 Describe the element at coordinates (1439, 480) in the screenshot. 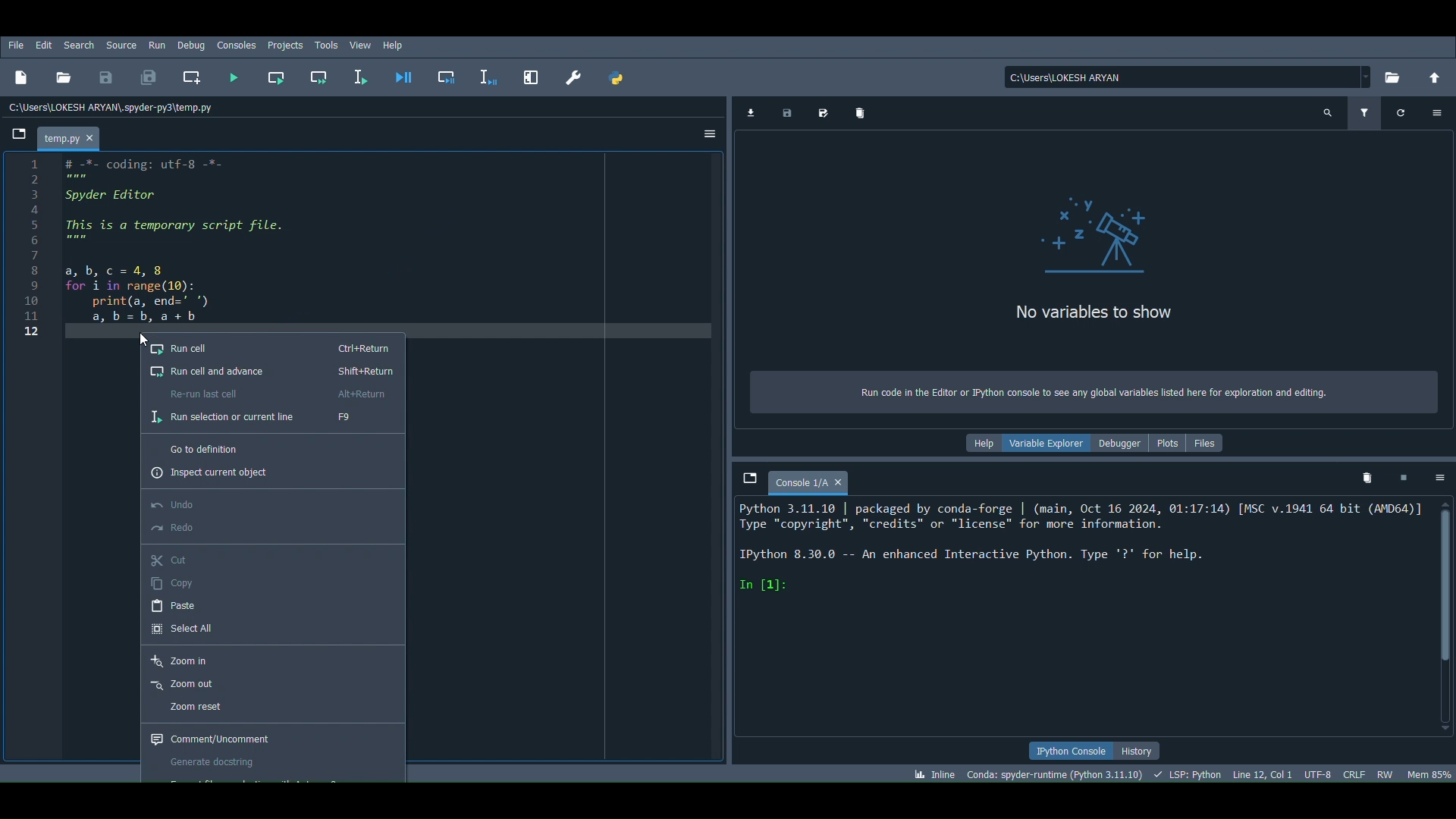

I see `Options` at that location.